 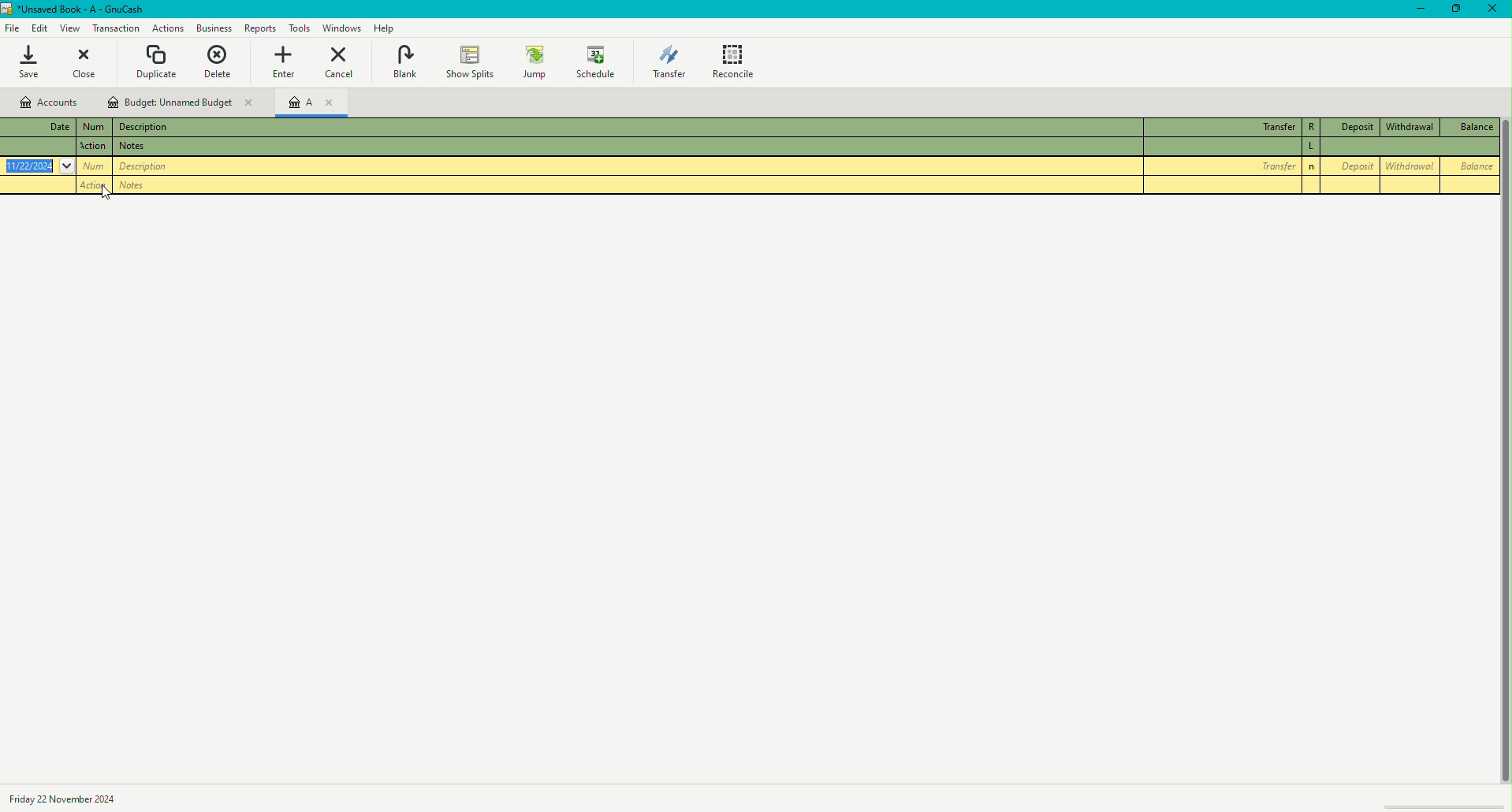 What do you see at coordinates (1220, 166) in the screenshot?
I see `Transfer` at bounding box center [1220, 166].